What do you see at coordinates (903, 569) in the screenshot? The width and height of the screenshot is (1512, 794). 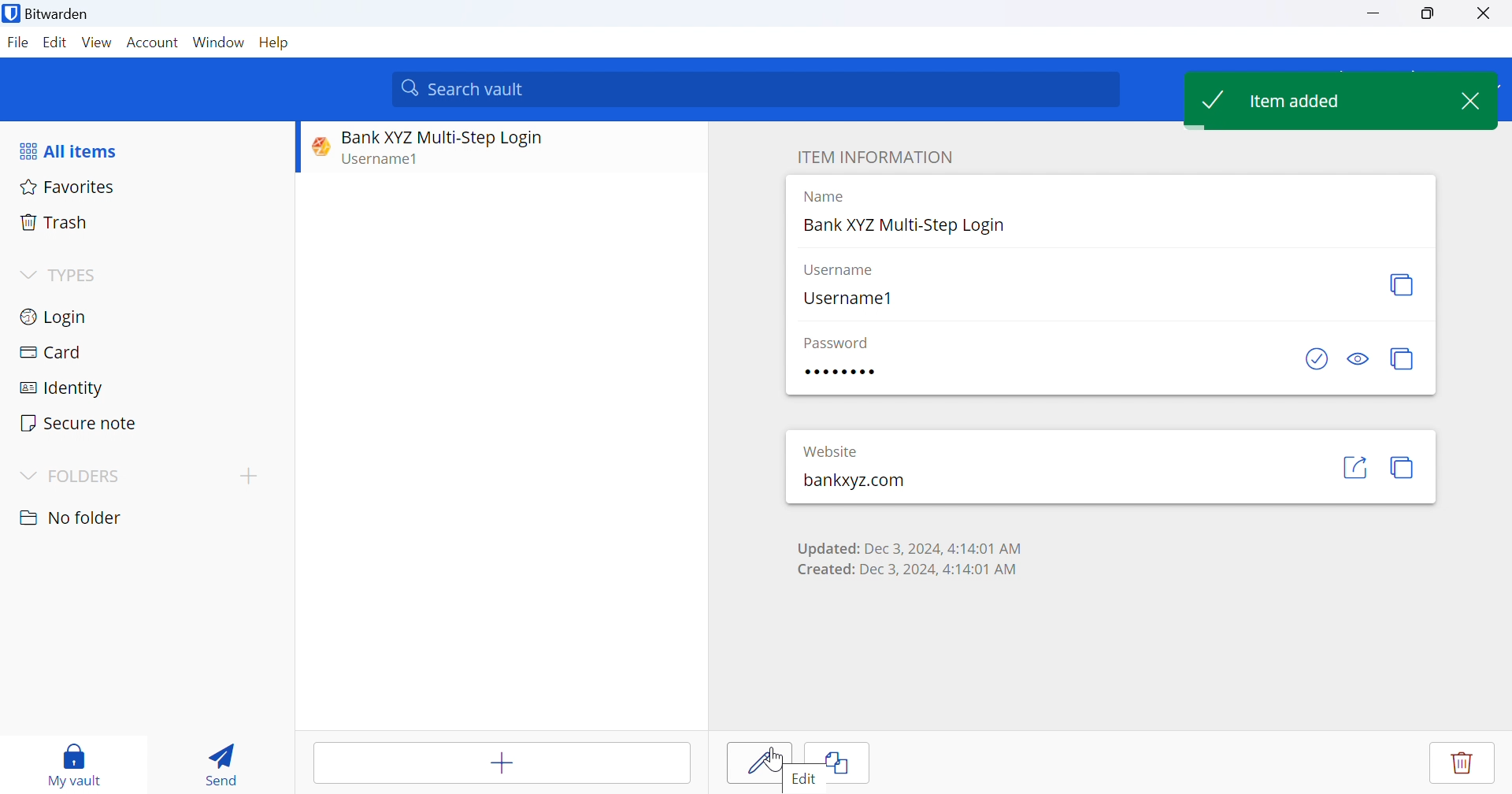 I see `Created: Dec 3, 2024, 4:14:01 AM` at bounding box center [903, 569].